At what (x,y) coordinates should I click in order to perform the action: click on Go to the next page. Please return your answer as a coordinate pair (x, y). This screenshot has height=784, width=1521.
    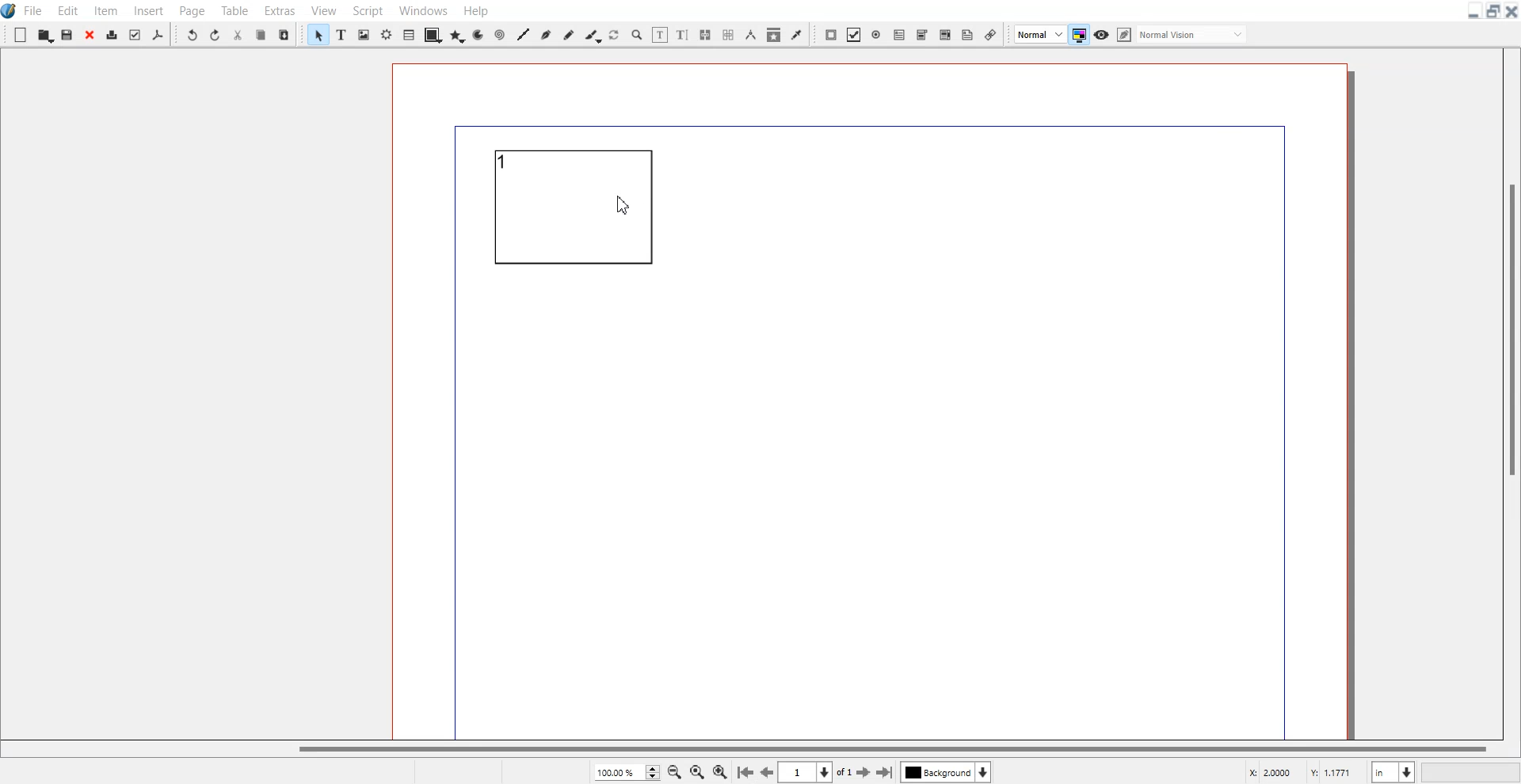
    Looking at the image, I should click on (863, 773).